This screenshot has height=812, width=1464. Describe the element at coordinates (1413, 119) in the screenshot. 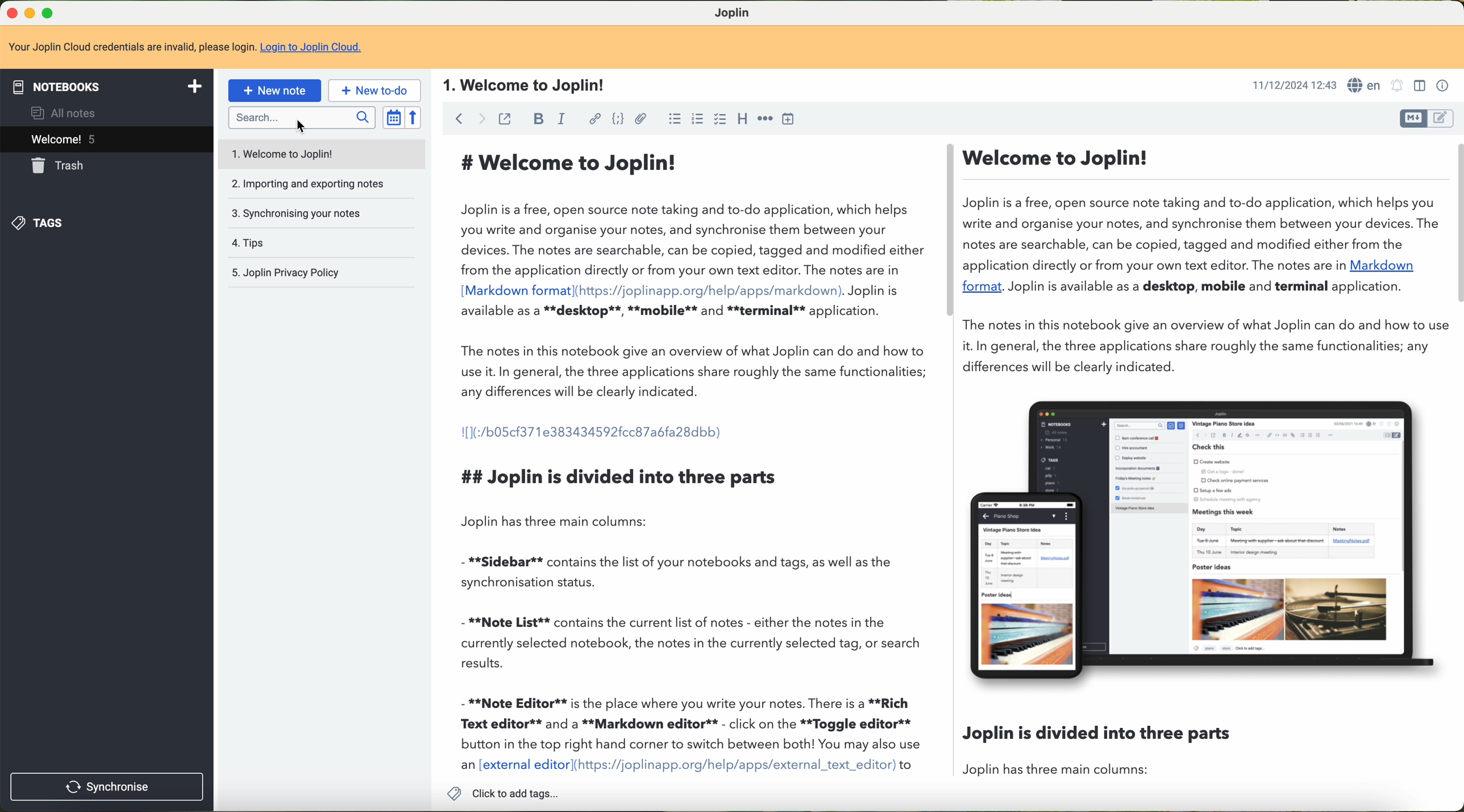

I see `toggle editors` at that location.